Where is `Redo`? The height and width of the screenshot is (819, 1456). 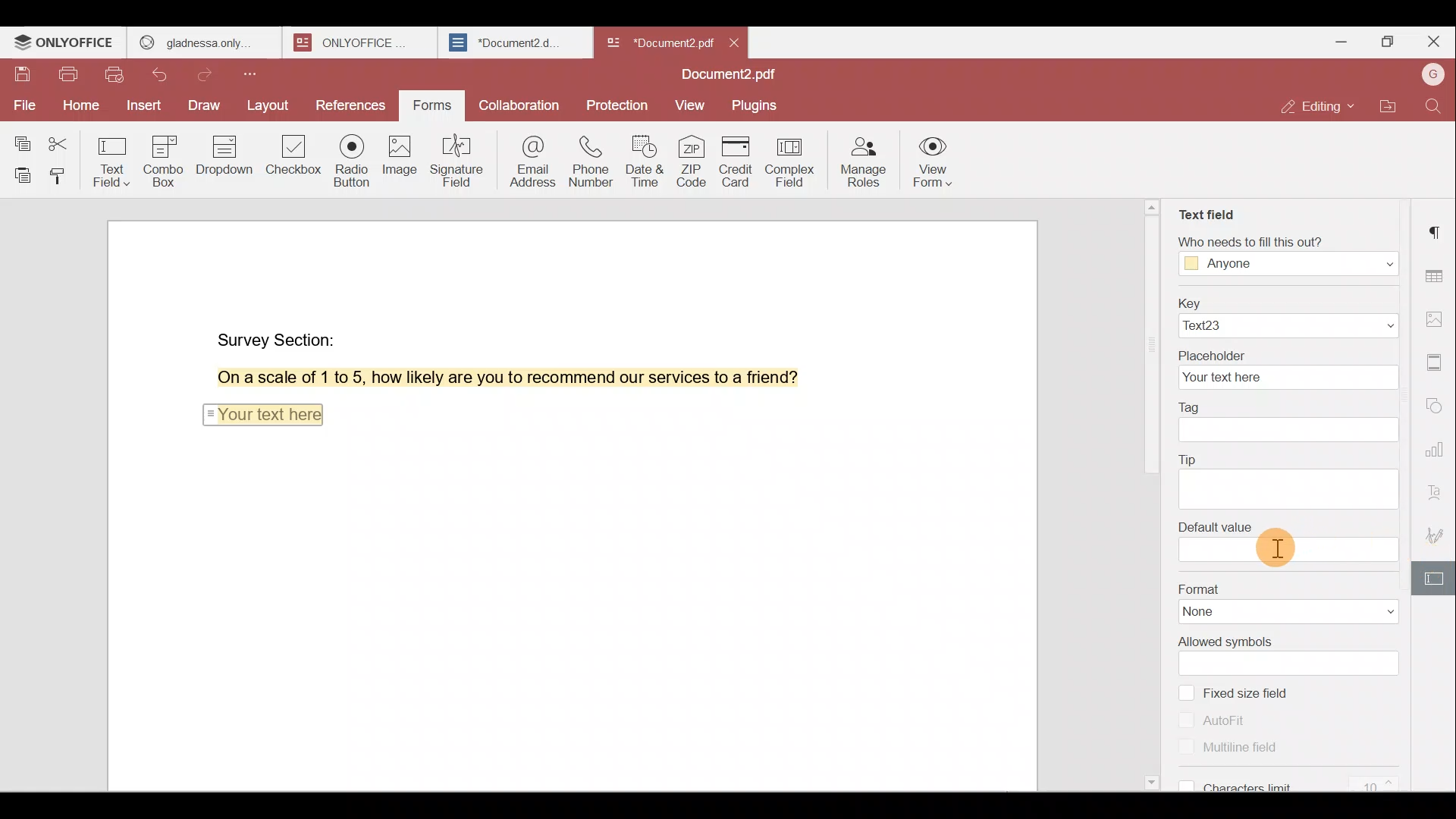 Redo is located at coordinates (209, 75).